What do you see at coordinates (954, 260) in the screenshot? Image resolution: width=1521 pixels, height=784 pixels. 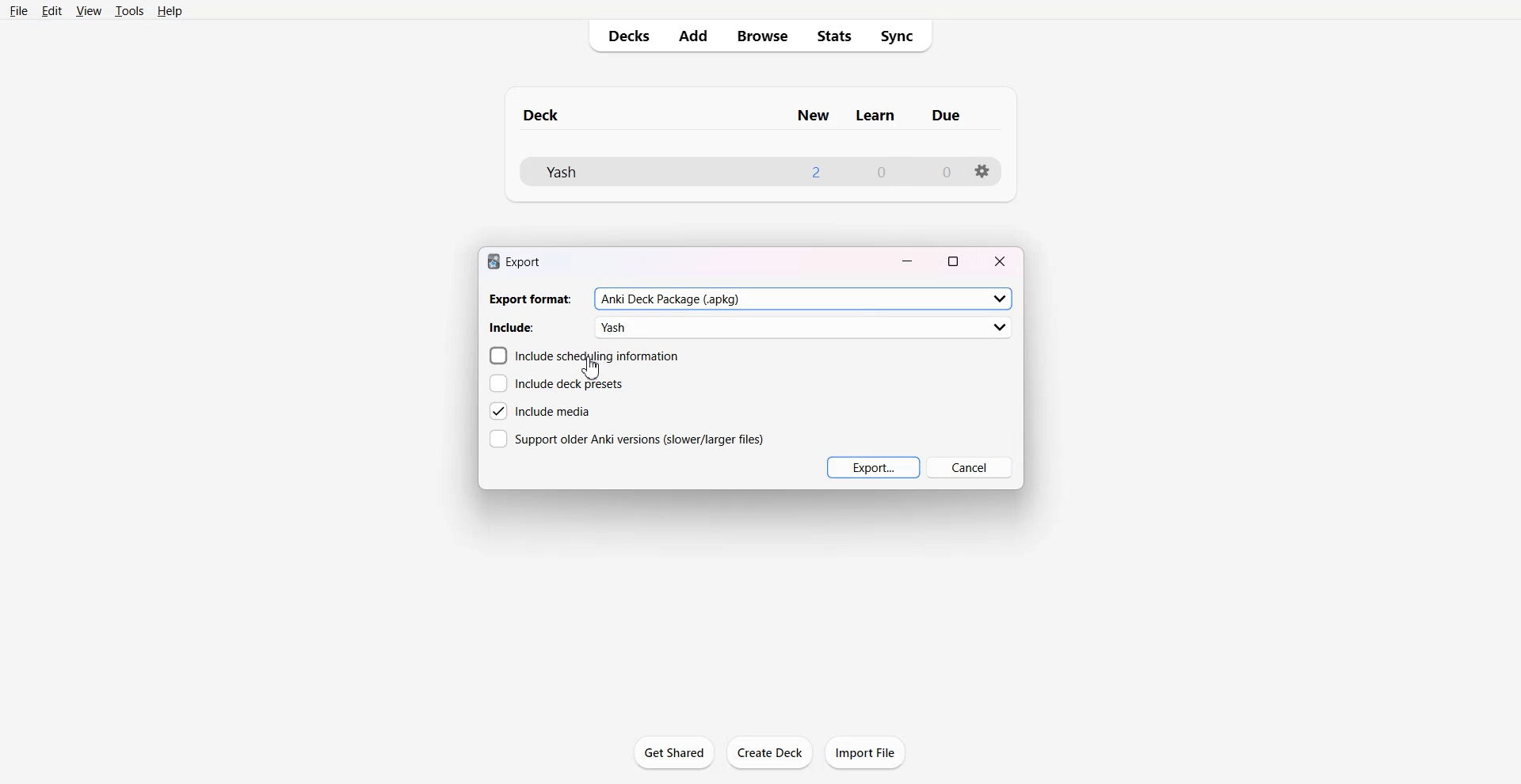 I see `Maximize` at bounding box center [954, 260].